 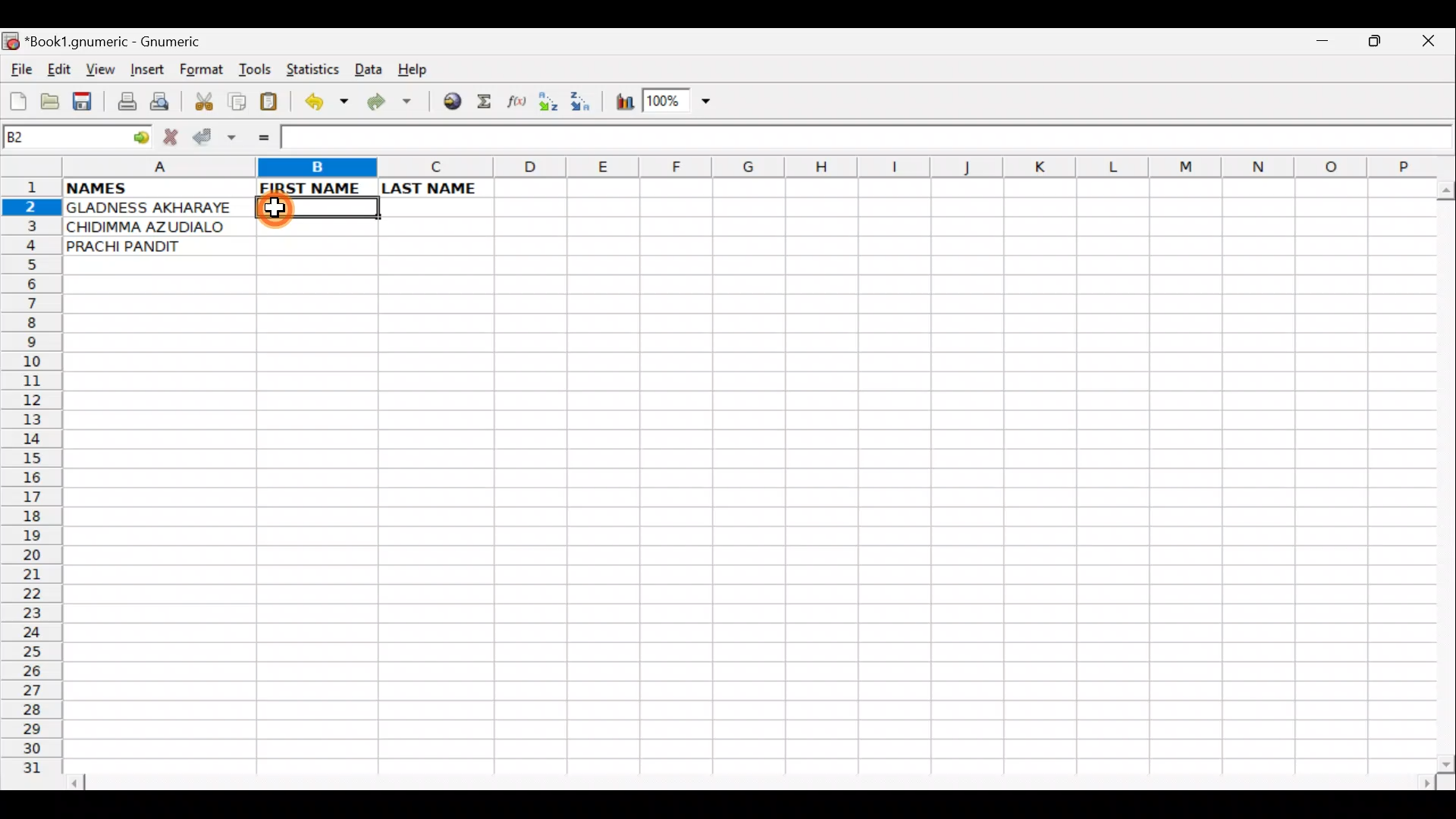 What do you see at coordinates (754, 780) in the screenshot?
I see `Scroll bar` at bounding box center [754, 780].